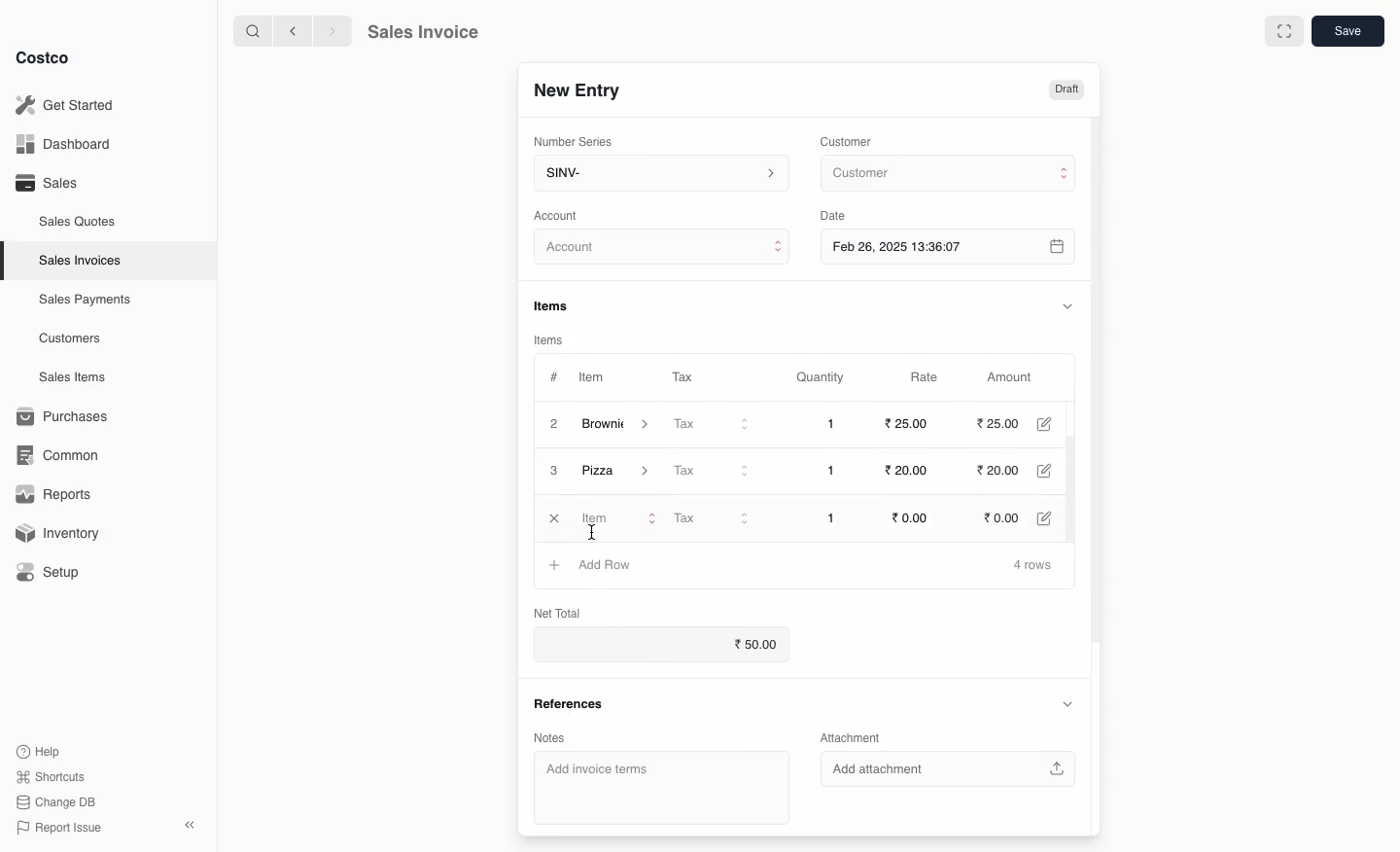 This screenshot has width=1400, height=852. What do you see at coordinates (77, 377) in the screenshot?
I see `Sales Items` at bounding box center [77, 377].